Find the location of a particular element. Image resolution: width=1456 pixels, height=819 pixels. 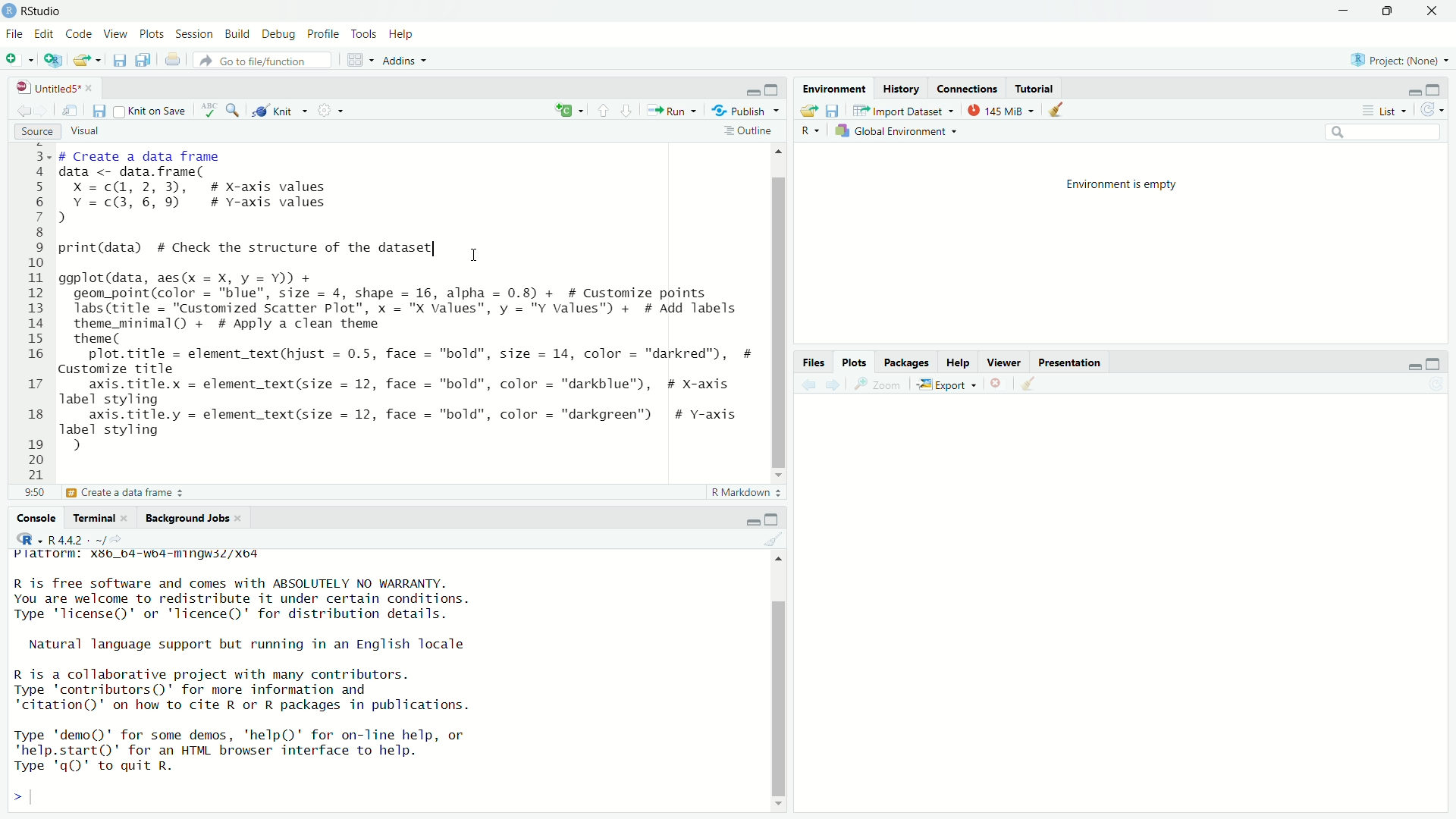

Plots is located at coordinates (855, 364).